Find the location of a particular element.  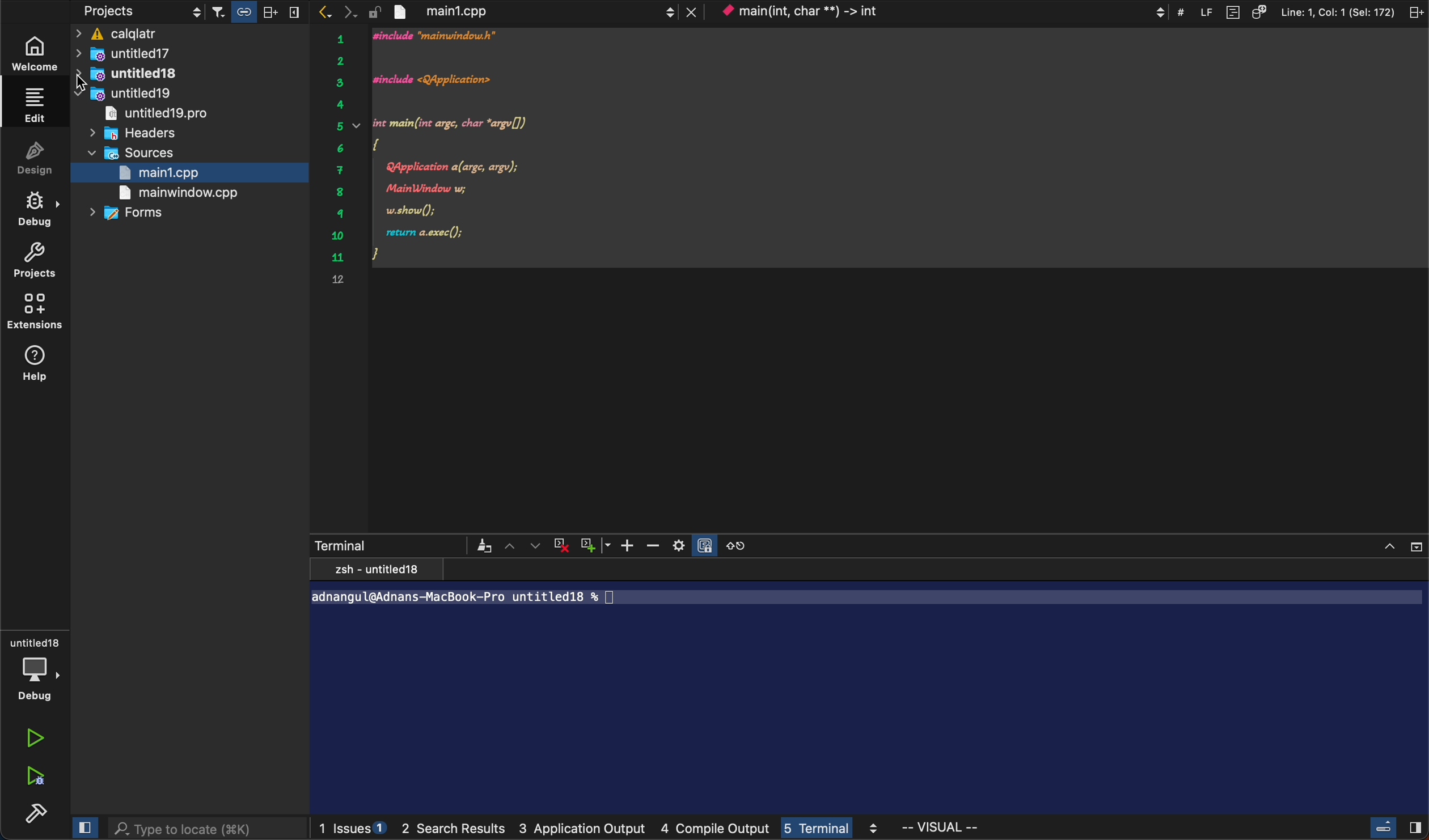

zsh - untitled18 is located at coordinates (372, 572).